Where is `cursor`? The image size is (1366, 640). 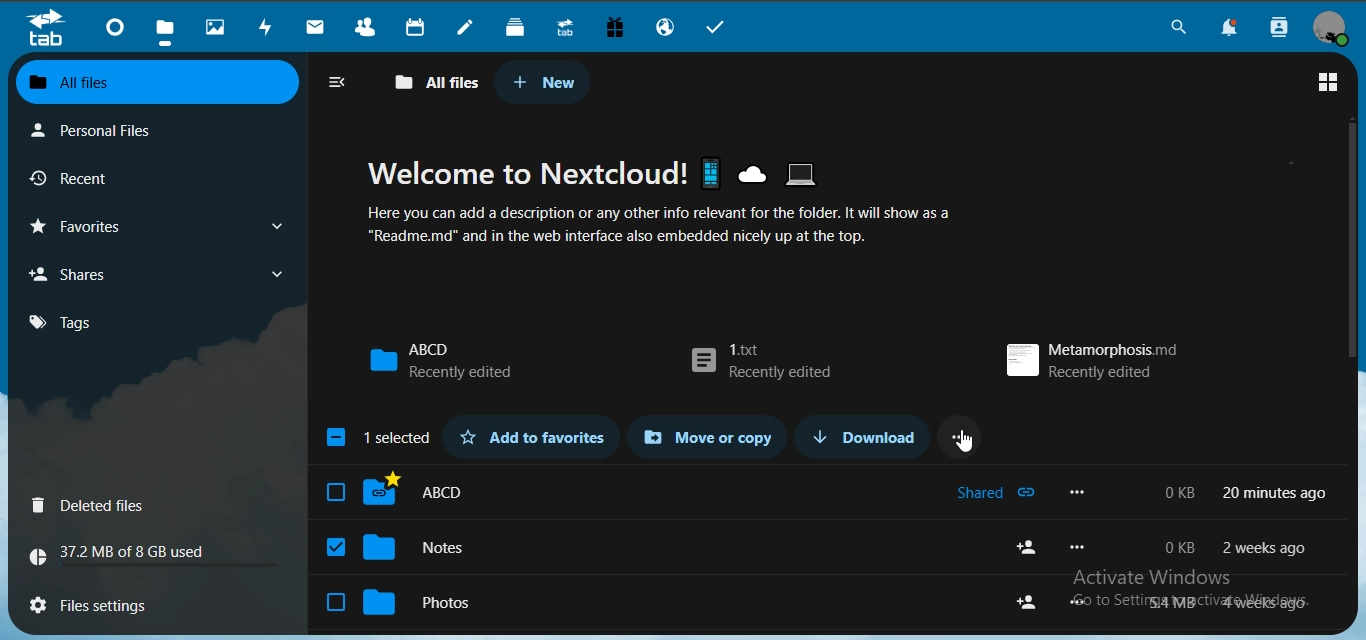
cursor is located at coordinates (965, 443).